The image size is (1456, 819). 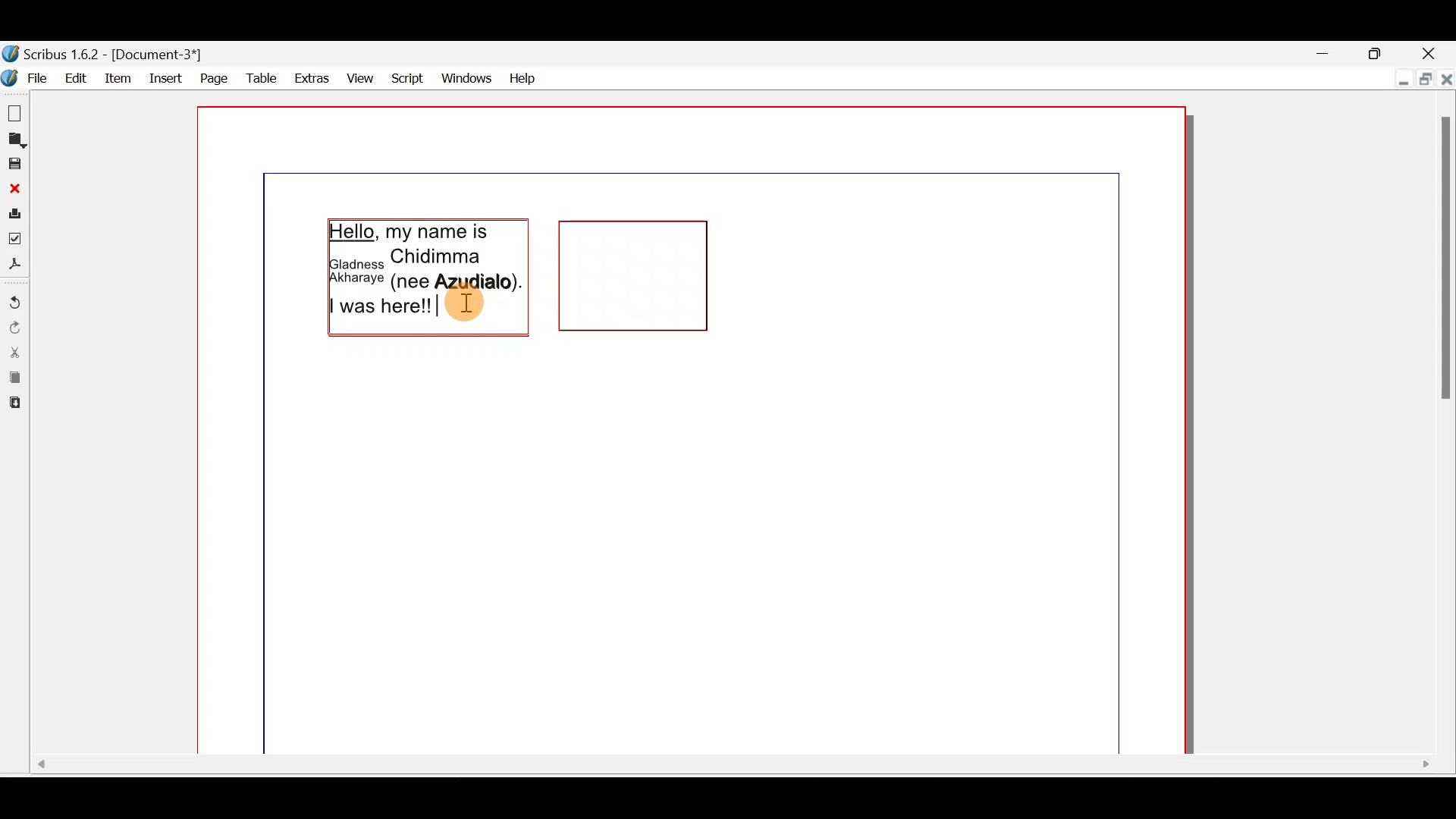 I want to click on Script, so click(x=408, y=76).